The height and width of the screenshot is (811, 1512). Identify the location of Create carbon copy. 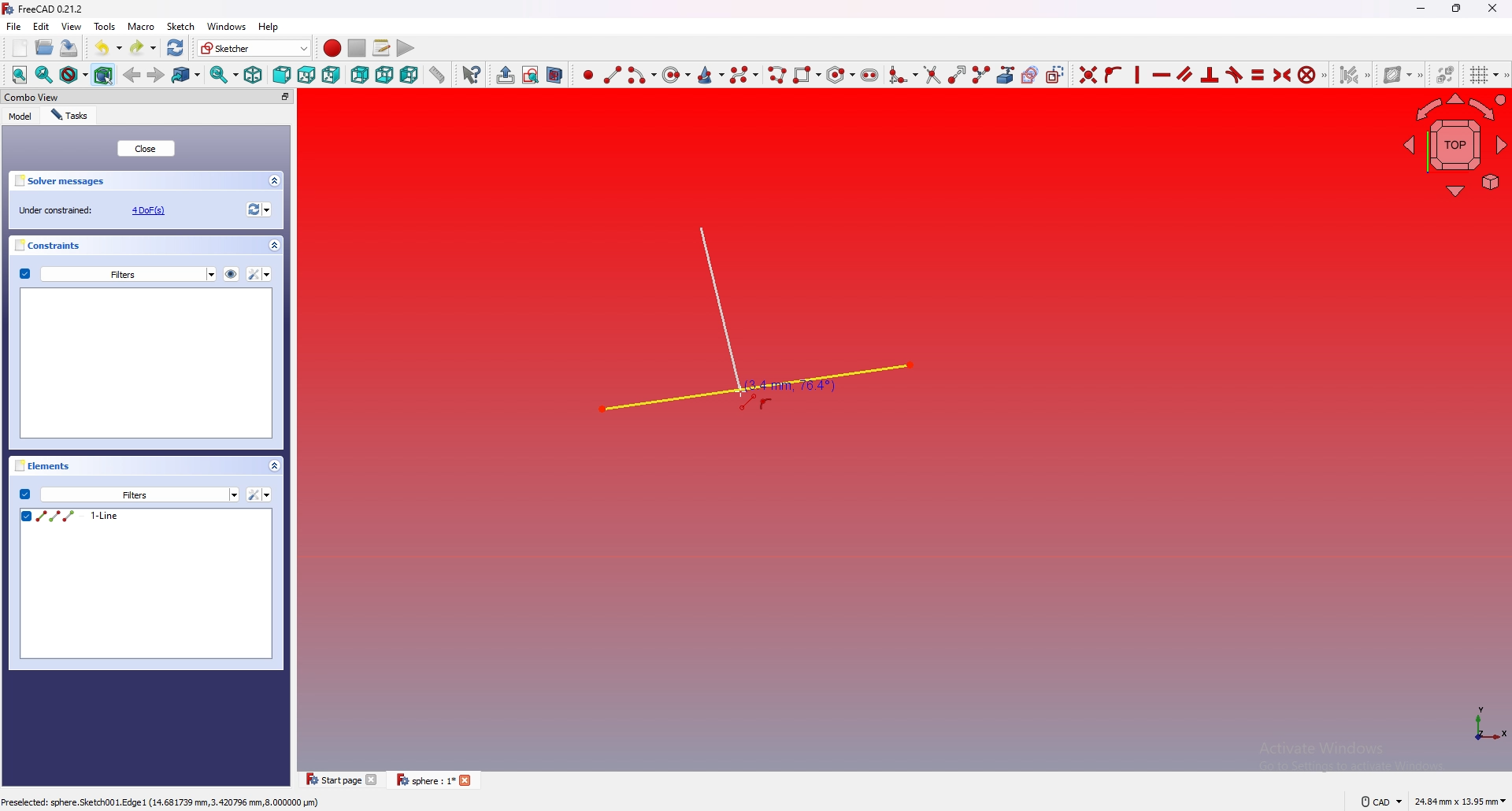
(1028, 75).